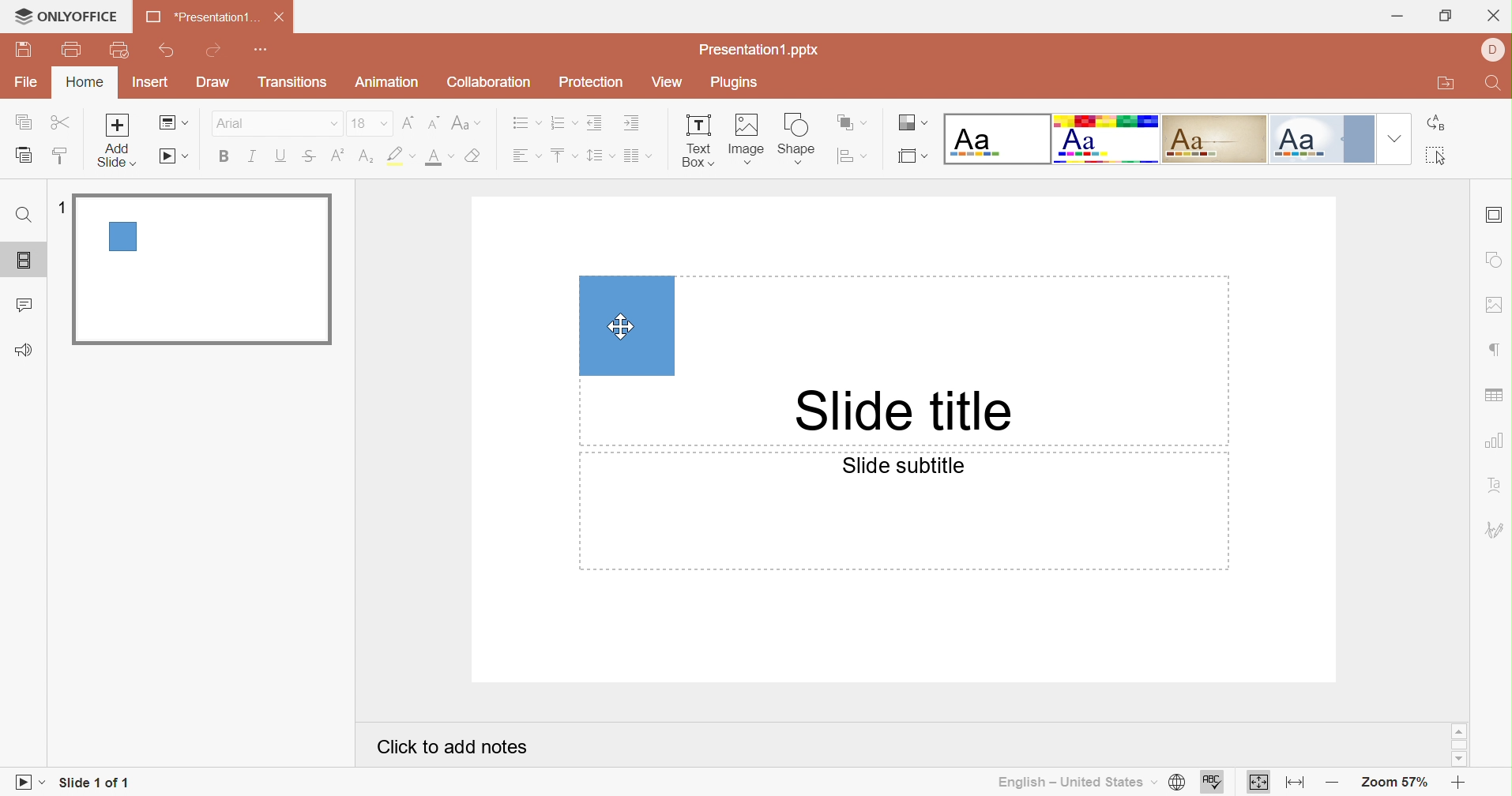 The width and height of the screenshot is (1512, 796). Describe the element at coordinates (1493, 396) in the screenshot. I see `Table settings` at that location.